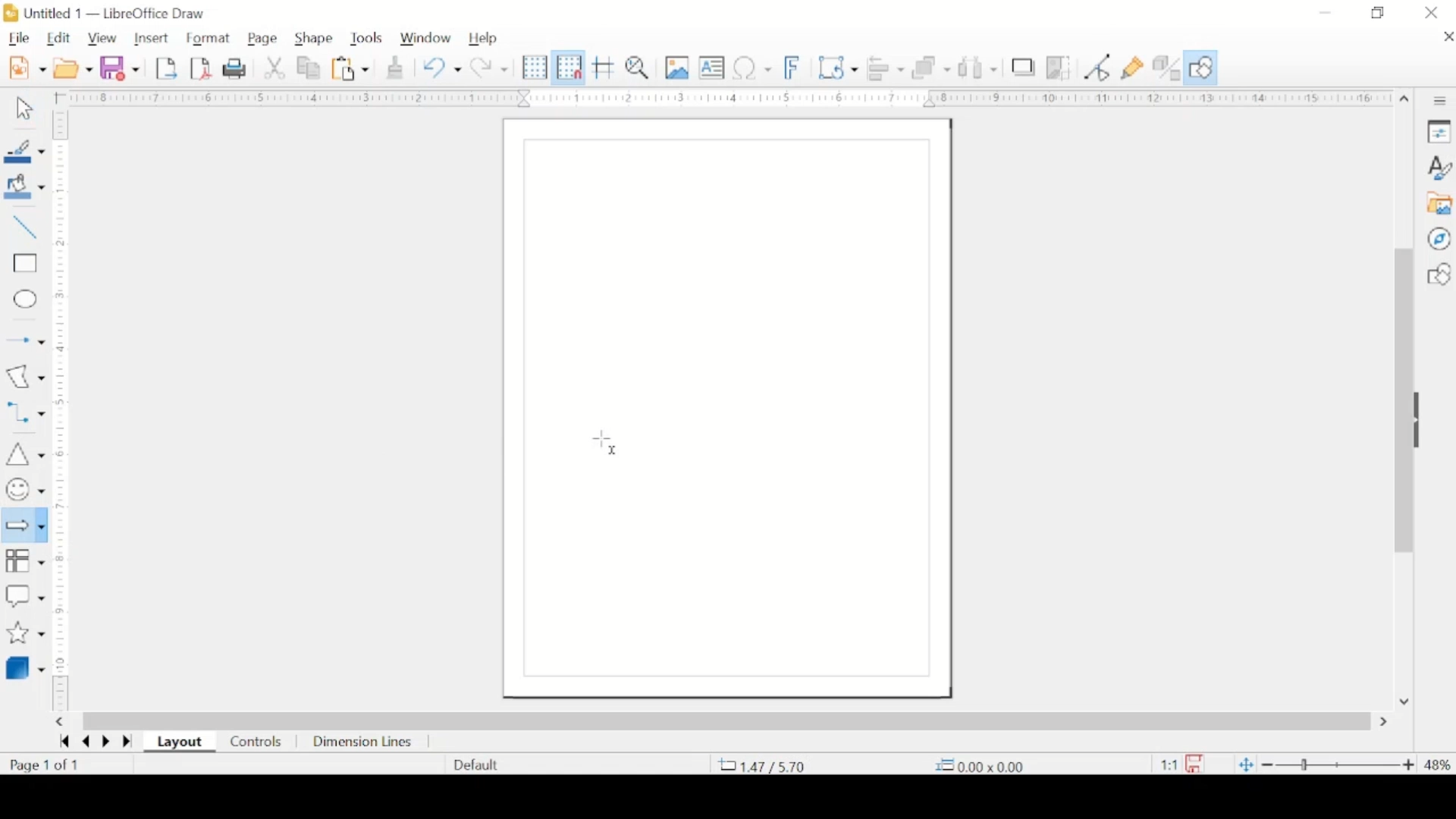 The width and height of the screenshot is (1456, 819). Describe the element at coordinates (105, 742) in the screenshot. I see `next` at that location.